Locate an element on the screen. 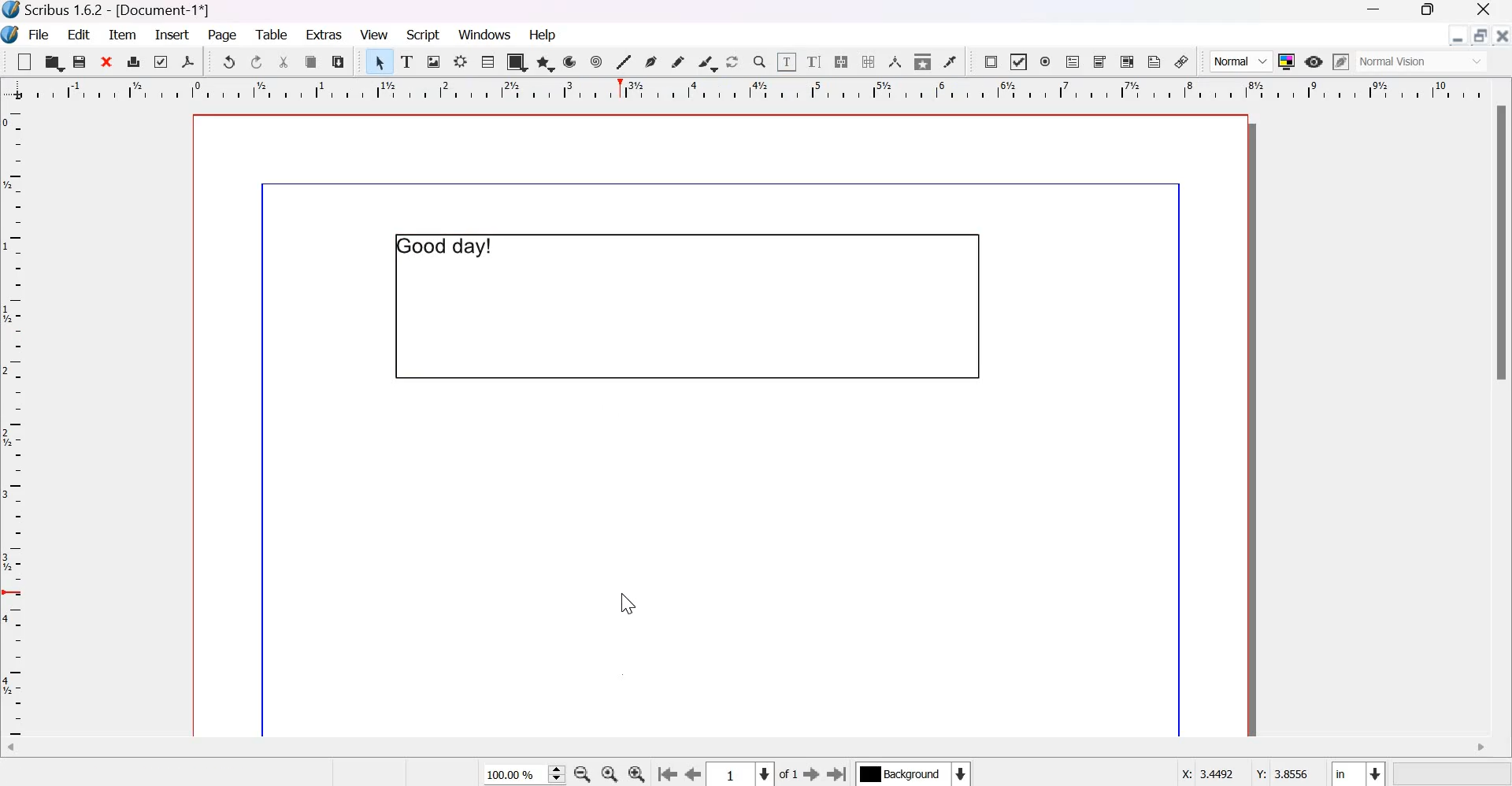  Preview mode is located at coordinates (1314, 63).